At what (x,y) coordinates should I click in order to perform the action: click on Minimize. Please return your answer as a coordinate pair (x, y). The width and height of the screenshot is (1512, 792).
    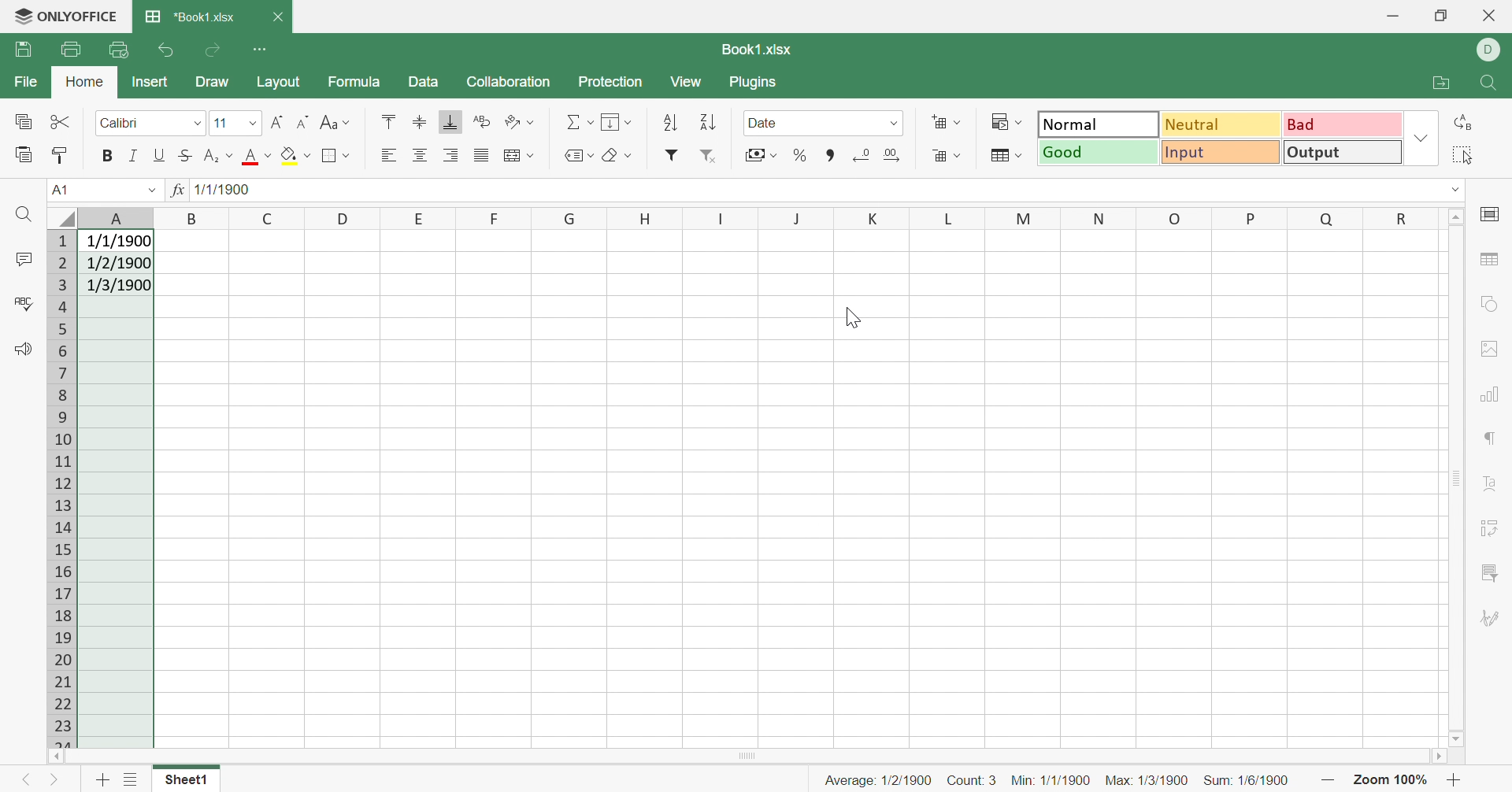
    Looking at the image, I should click on (1394, 19).